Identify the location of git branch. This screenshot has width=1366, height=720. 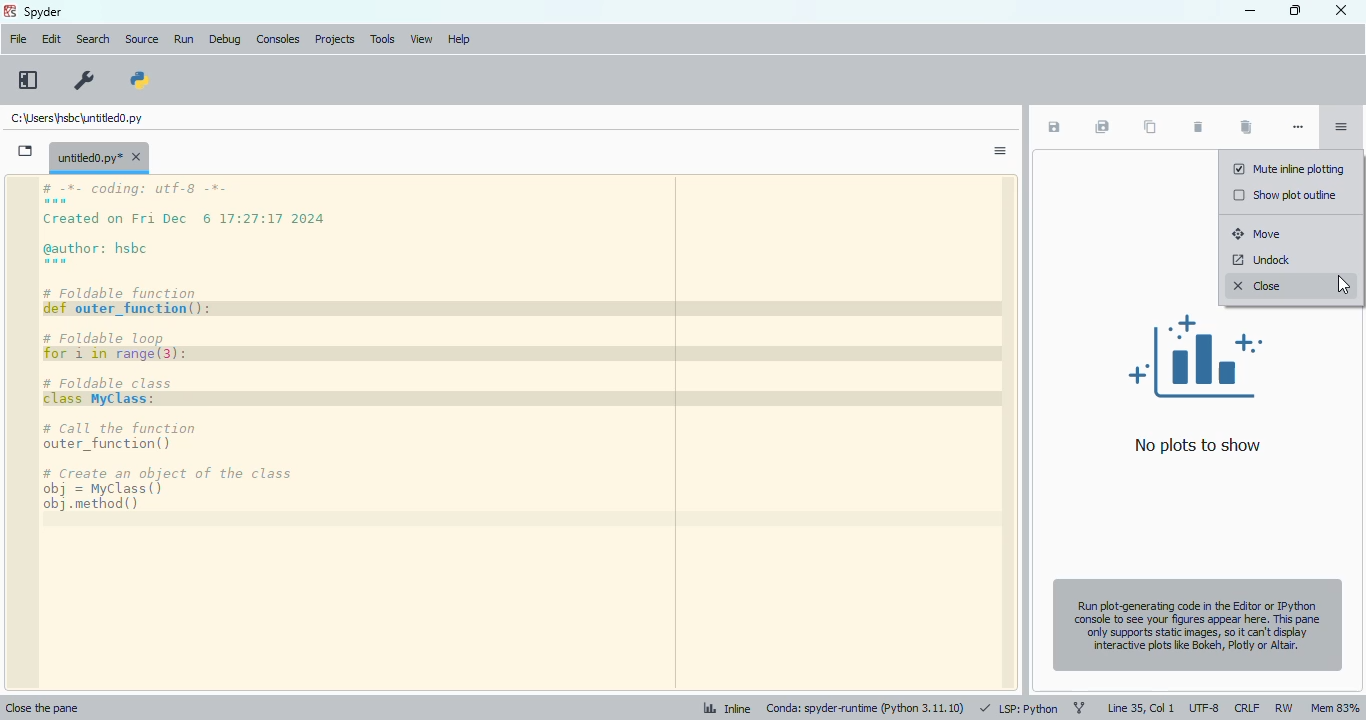
(1080, 705).